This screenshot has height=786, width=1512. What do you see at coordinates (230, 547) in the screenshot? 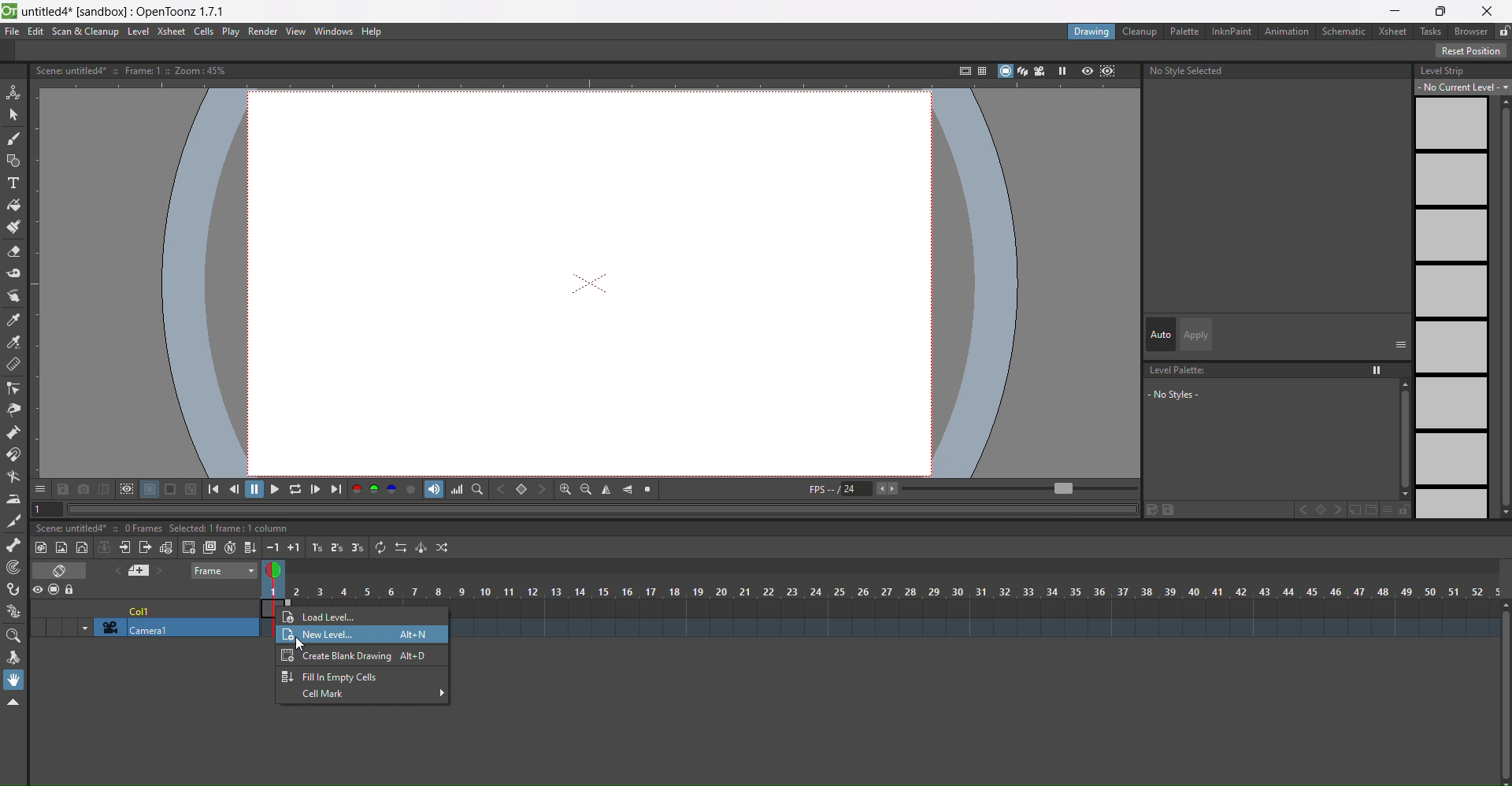
I see `auto input cell number` at bounding box center [230, 547].